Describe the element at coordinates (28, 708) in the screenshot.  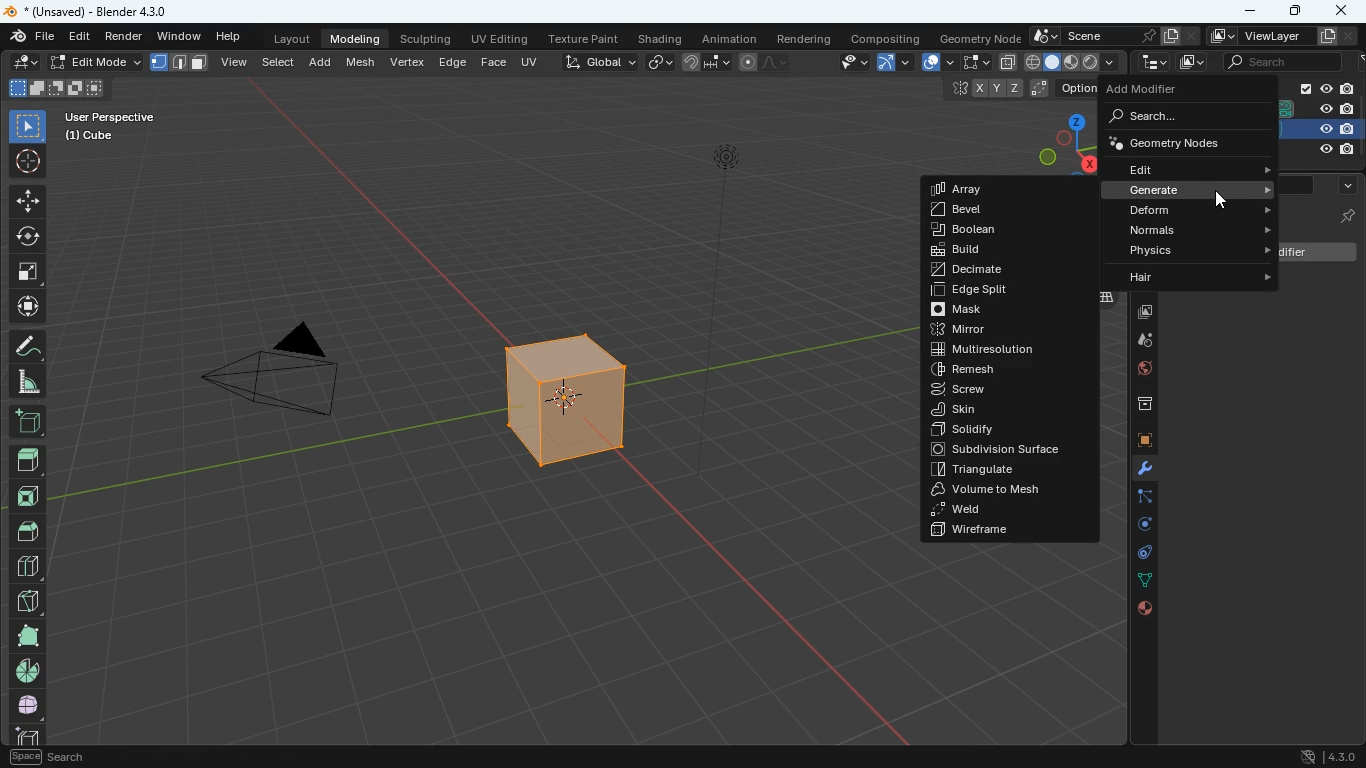
I see `whole` at that location.